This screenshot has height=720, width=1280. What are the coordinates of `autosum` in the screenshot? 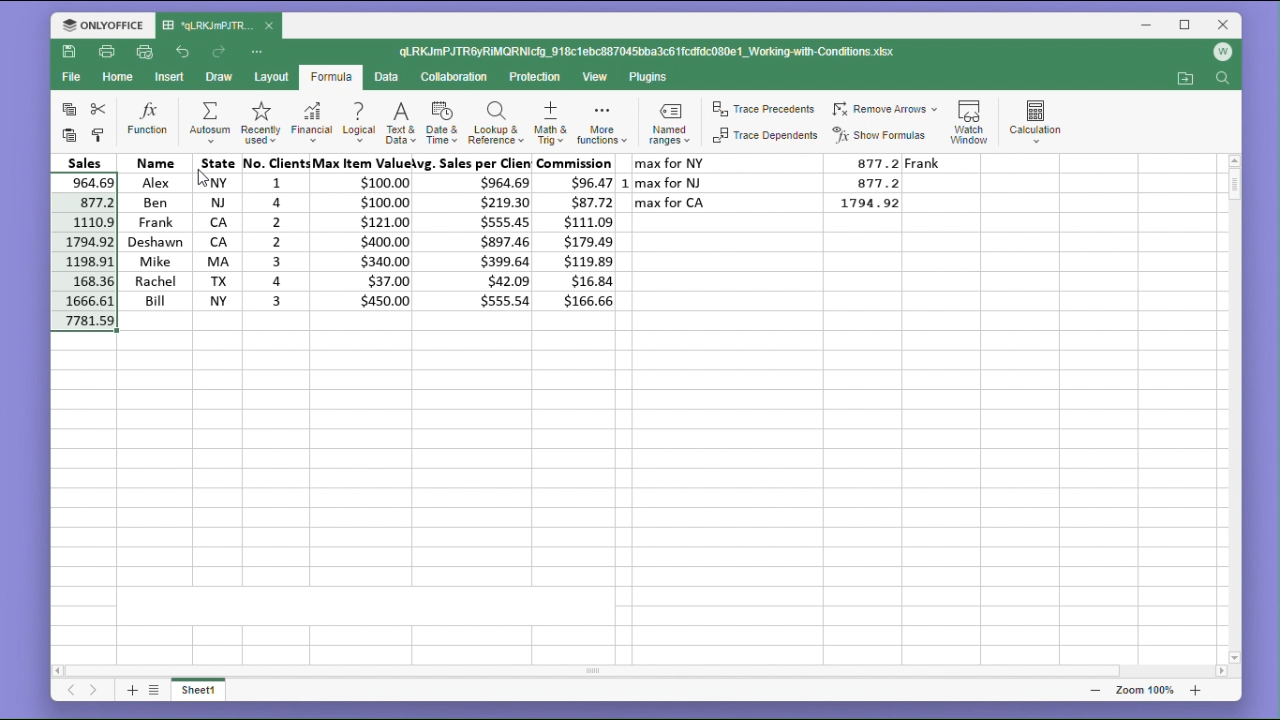 It's located at (204, 120).